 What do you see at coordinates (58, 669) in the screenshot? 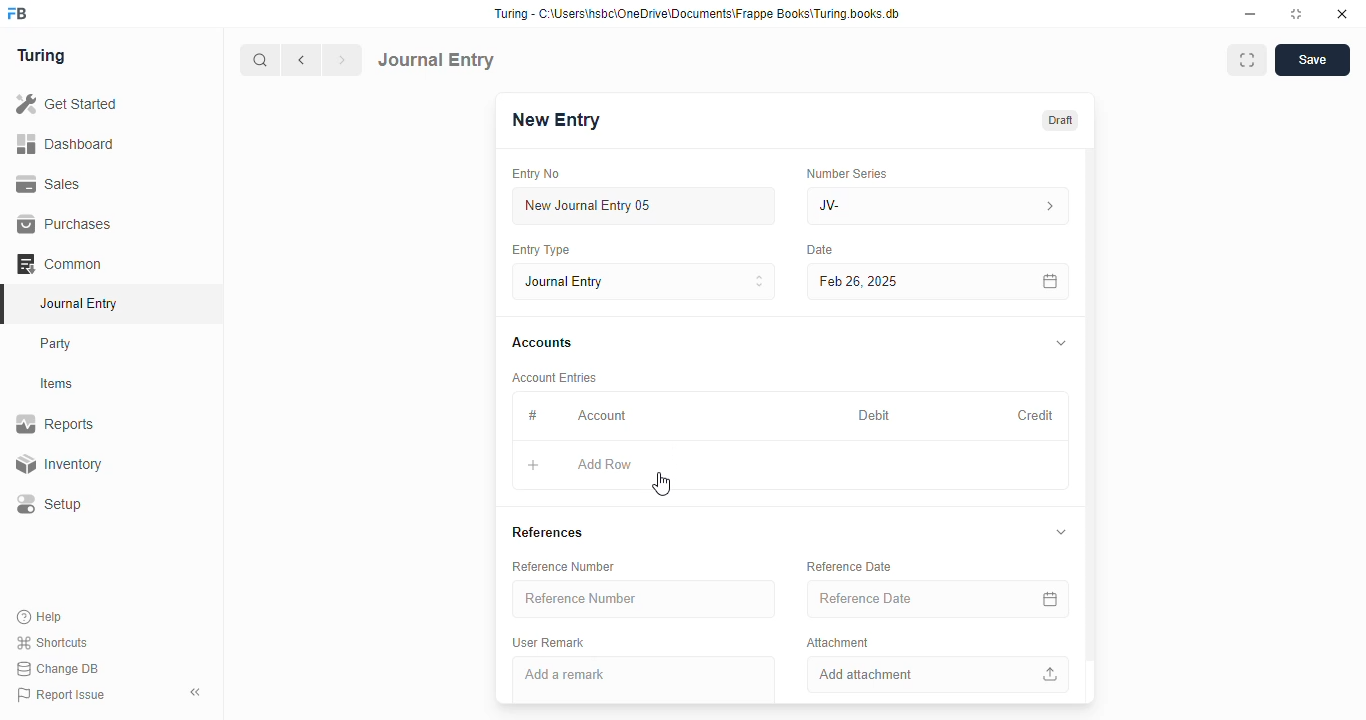
I see `change DB` at bounding box center [58, 669].